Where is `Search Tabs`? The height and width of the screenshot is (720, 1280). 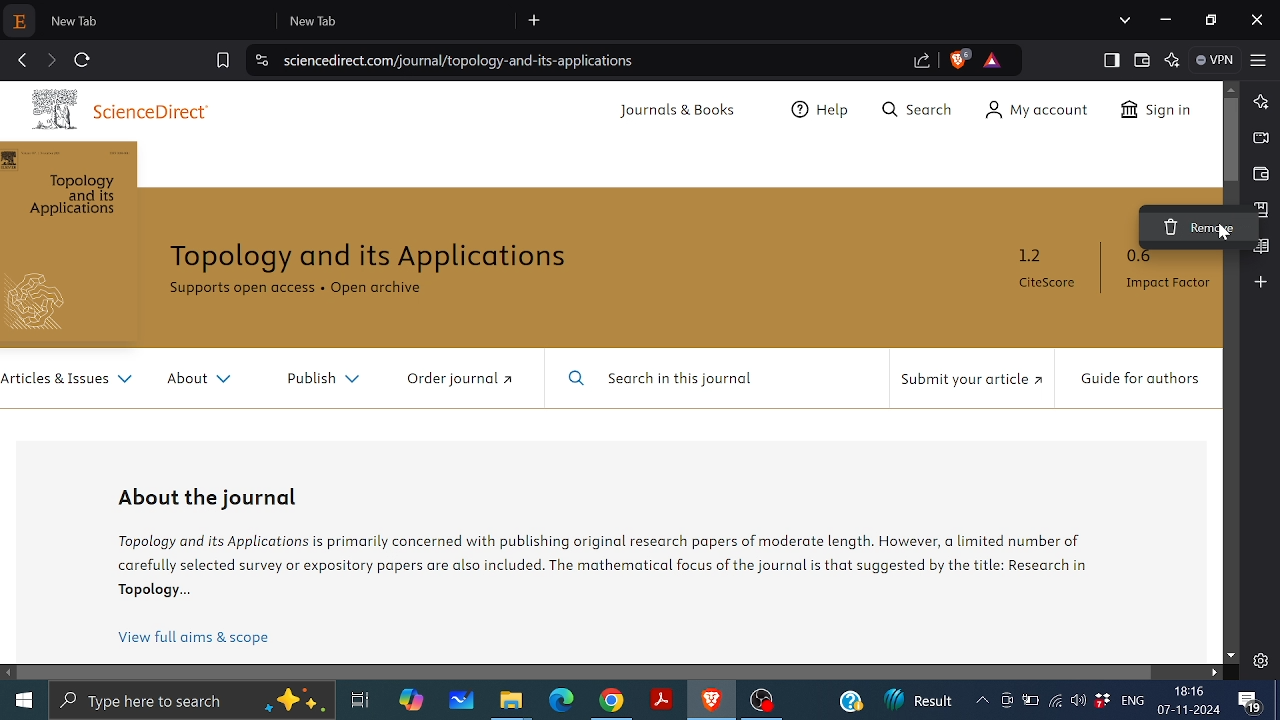
Search Tabs is located at coordinates (1125, 19).